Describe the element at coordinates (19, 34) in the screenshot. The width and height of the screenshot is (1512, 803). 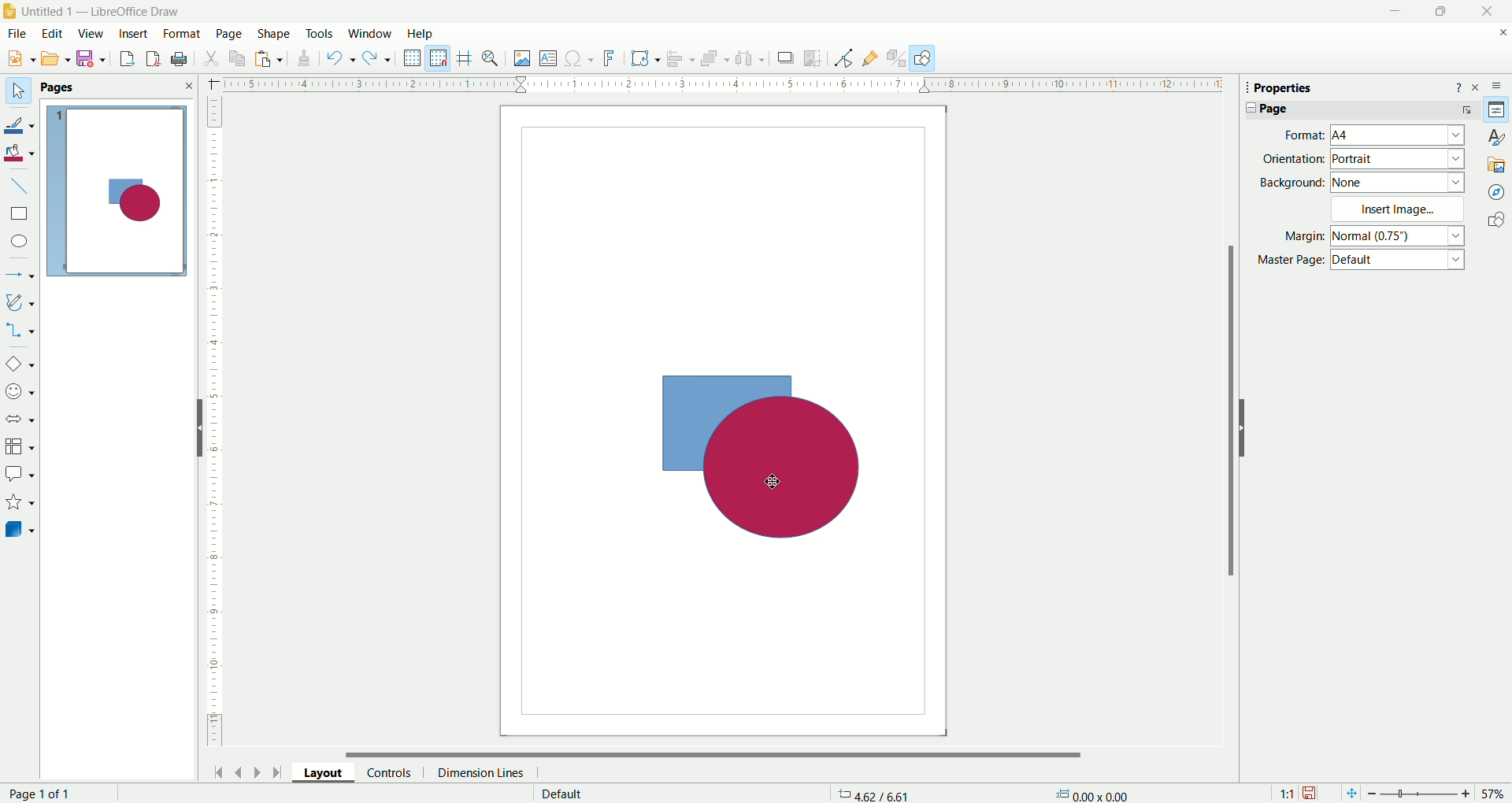
I see `file` at that location.